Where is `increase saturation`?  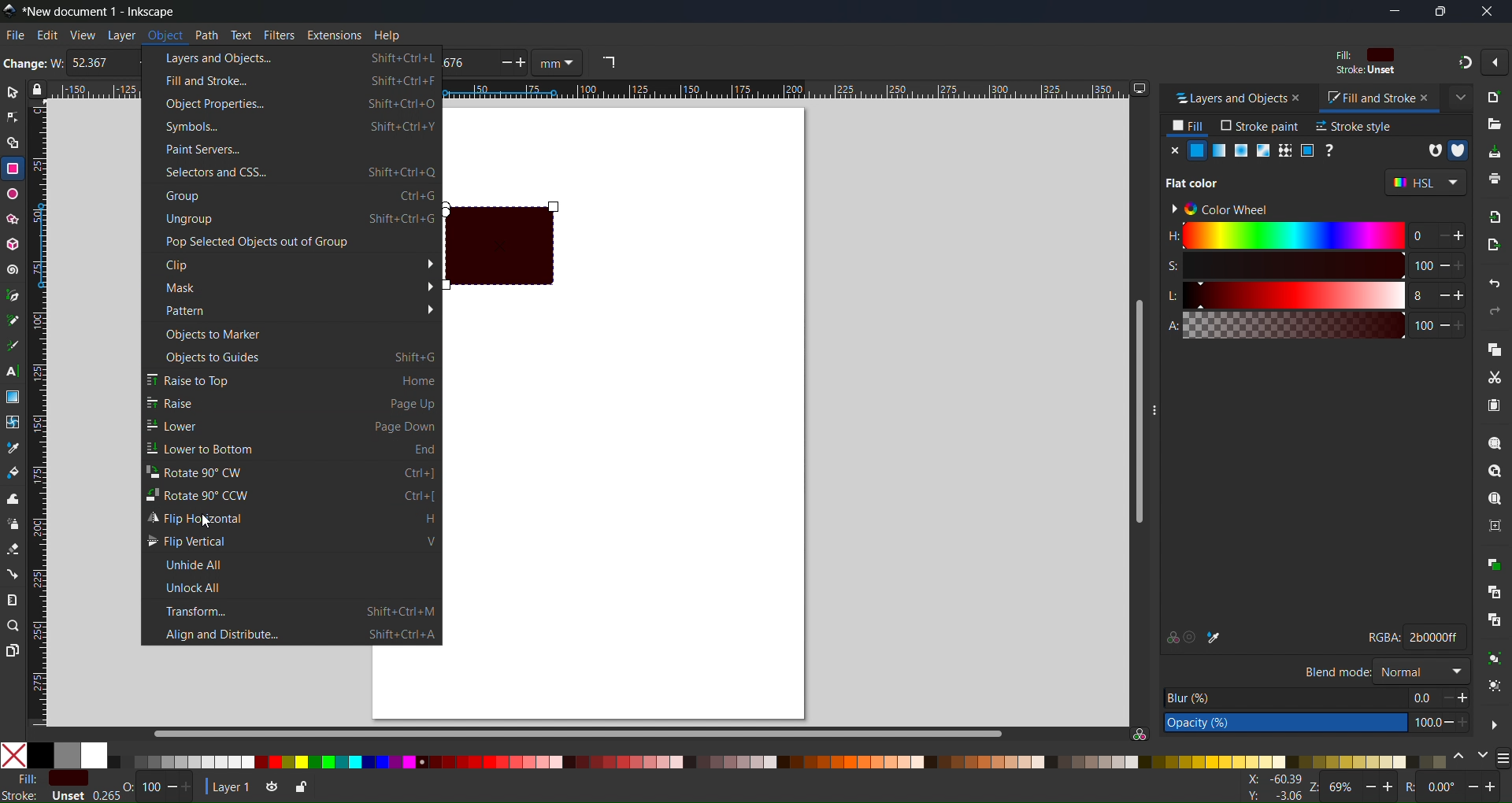
increase saturation is located at coordinates (1466, 265).